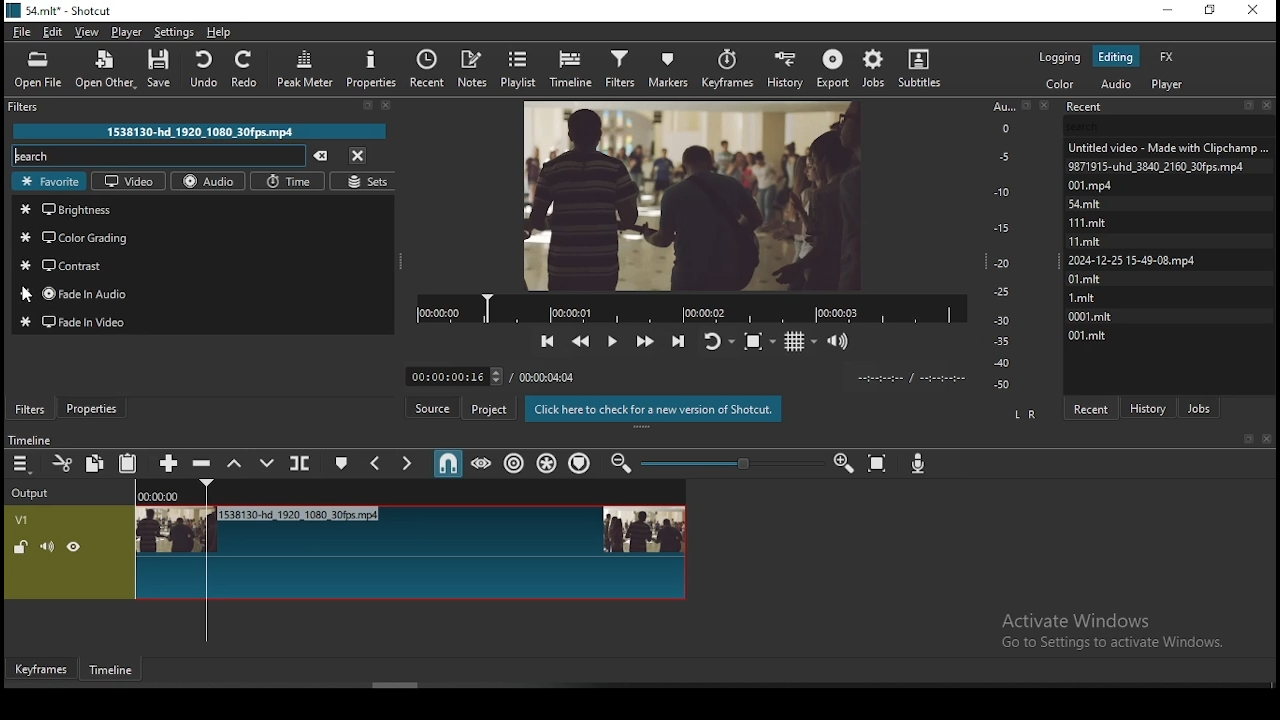 The width and height of the screenshot is (1280, 720). I want to click on view, so click(89, 32).